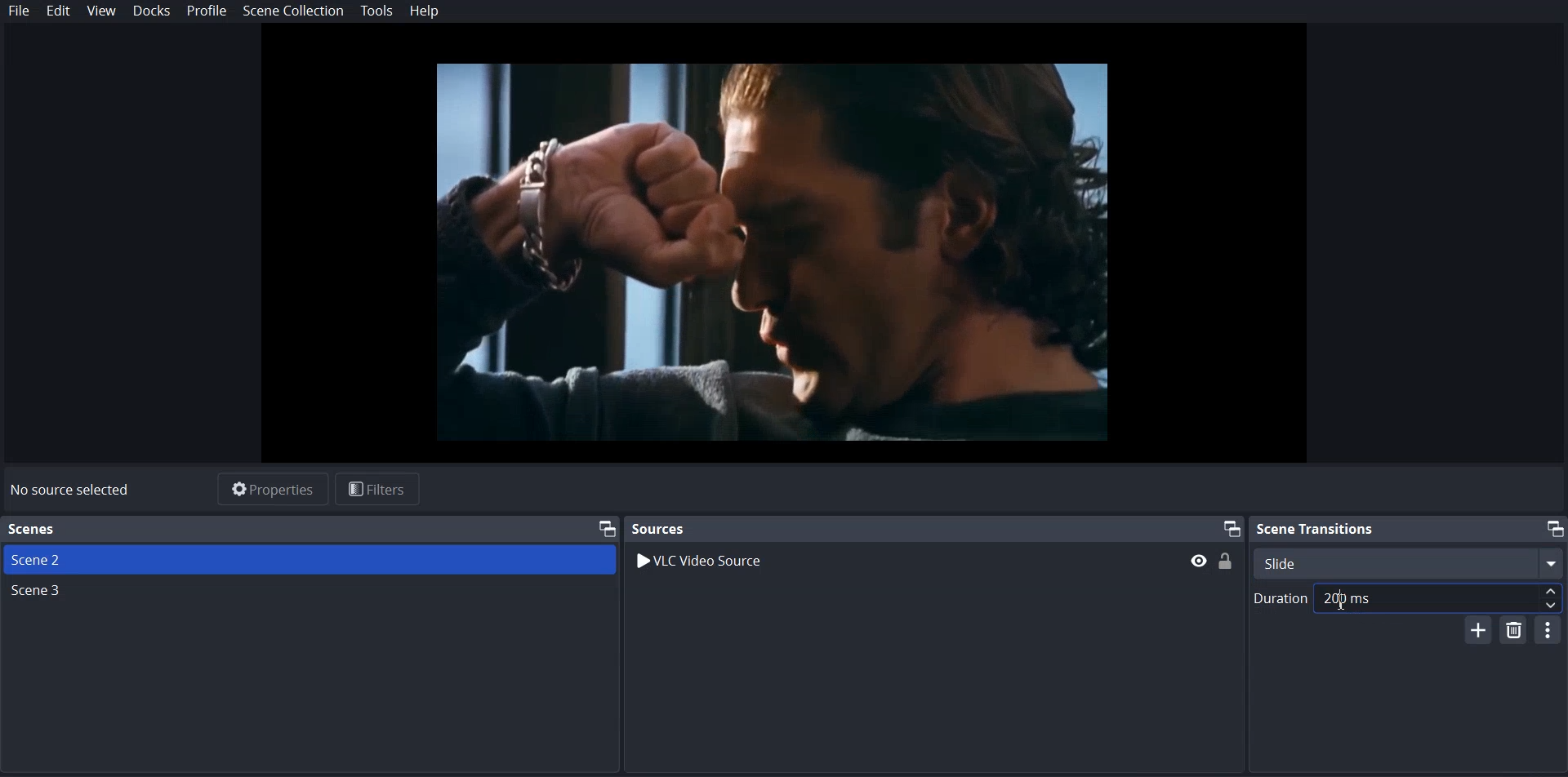 The width and height of the screenshot is (1568, 777). What do you see at coordinates (310, 529) in the screenshot?
I see `Text 1` at bounding box center [310, 529].